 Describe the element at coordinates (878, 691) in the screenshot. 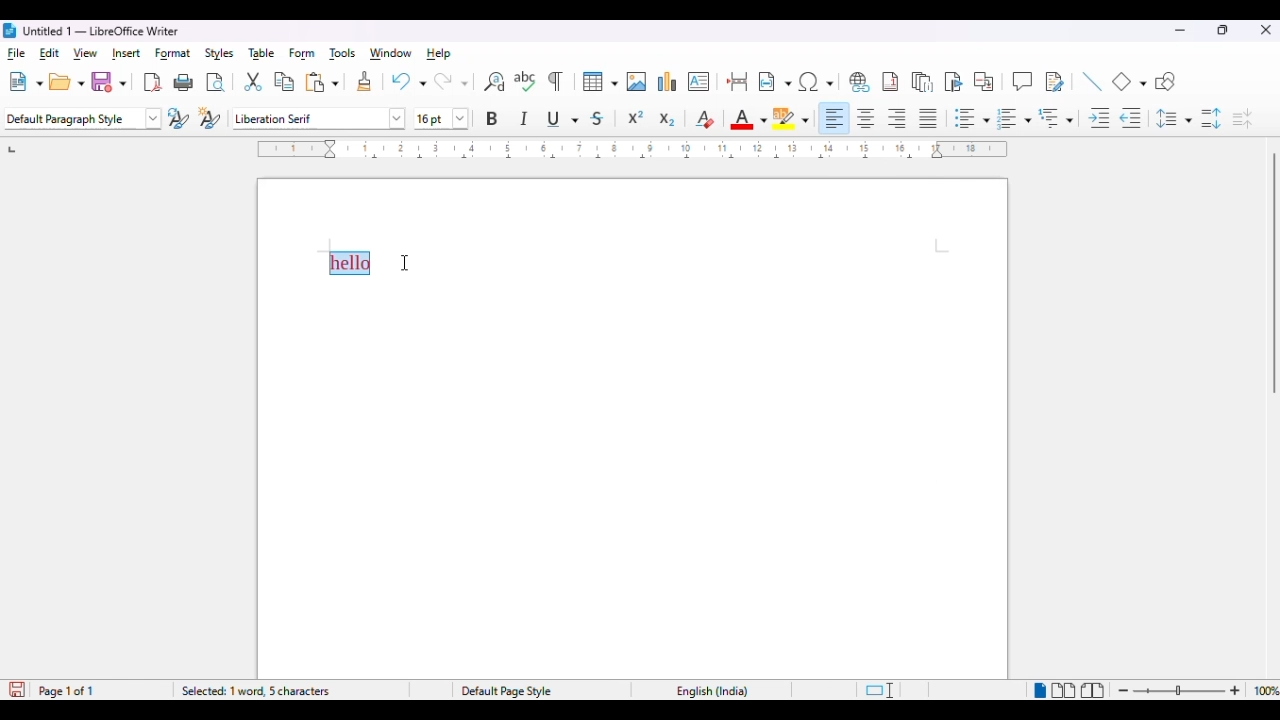

I see `standard selection` at that location.